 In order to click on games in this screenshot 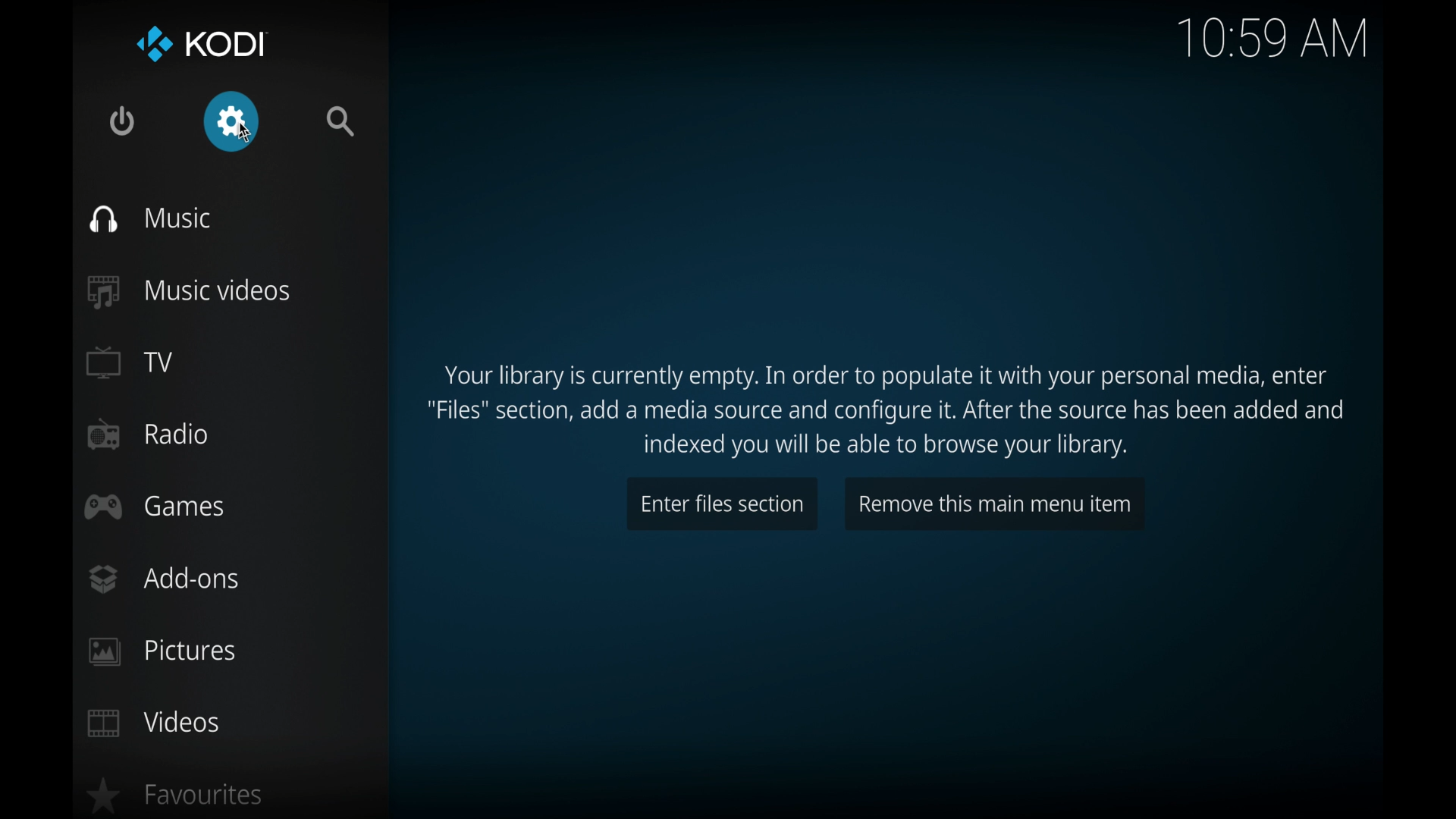, I will do `click(154, 507)`.